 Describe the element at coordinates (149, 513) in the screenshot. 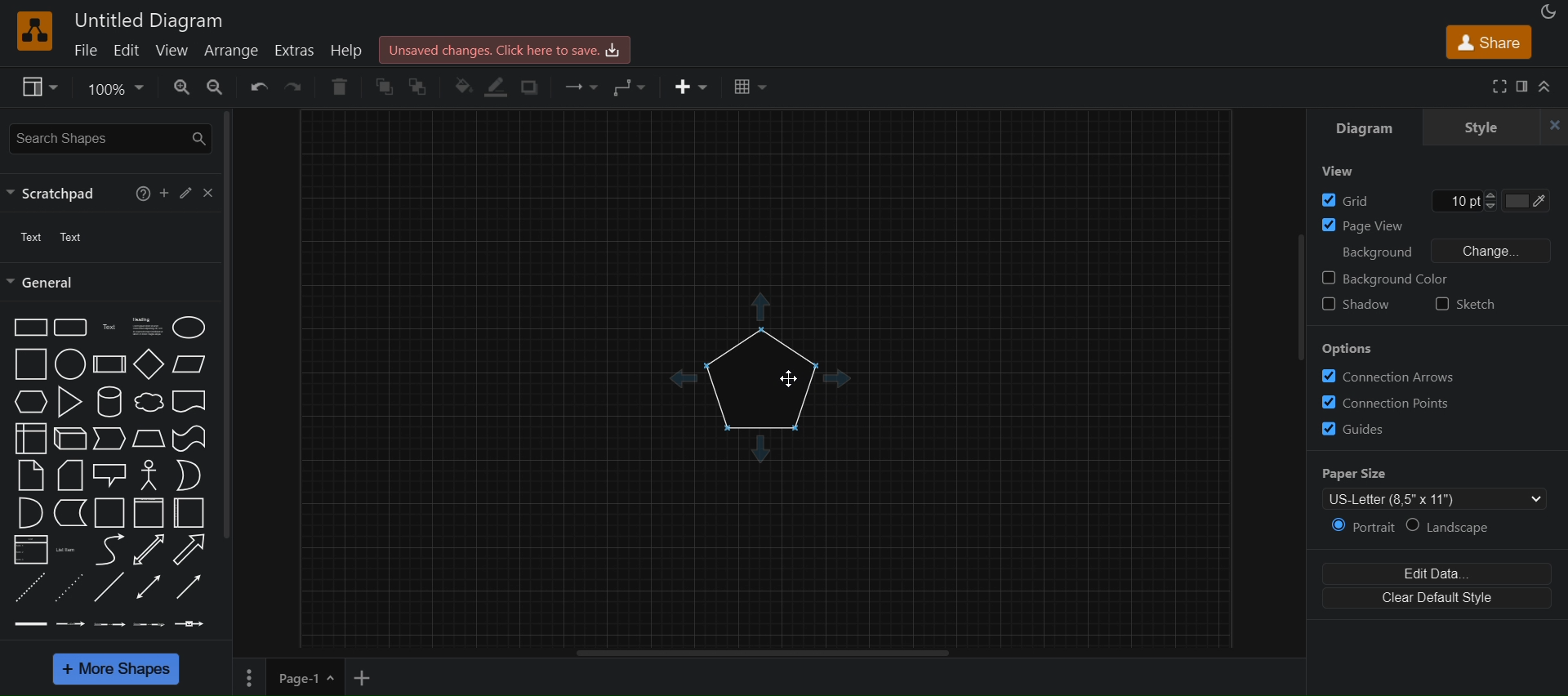

I see `Container` at that location.